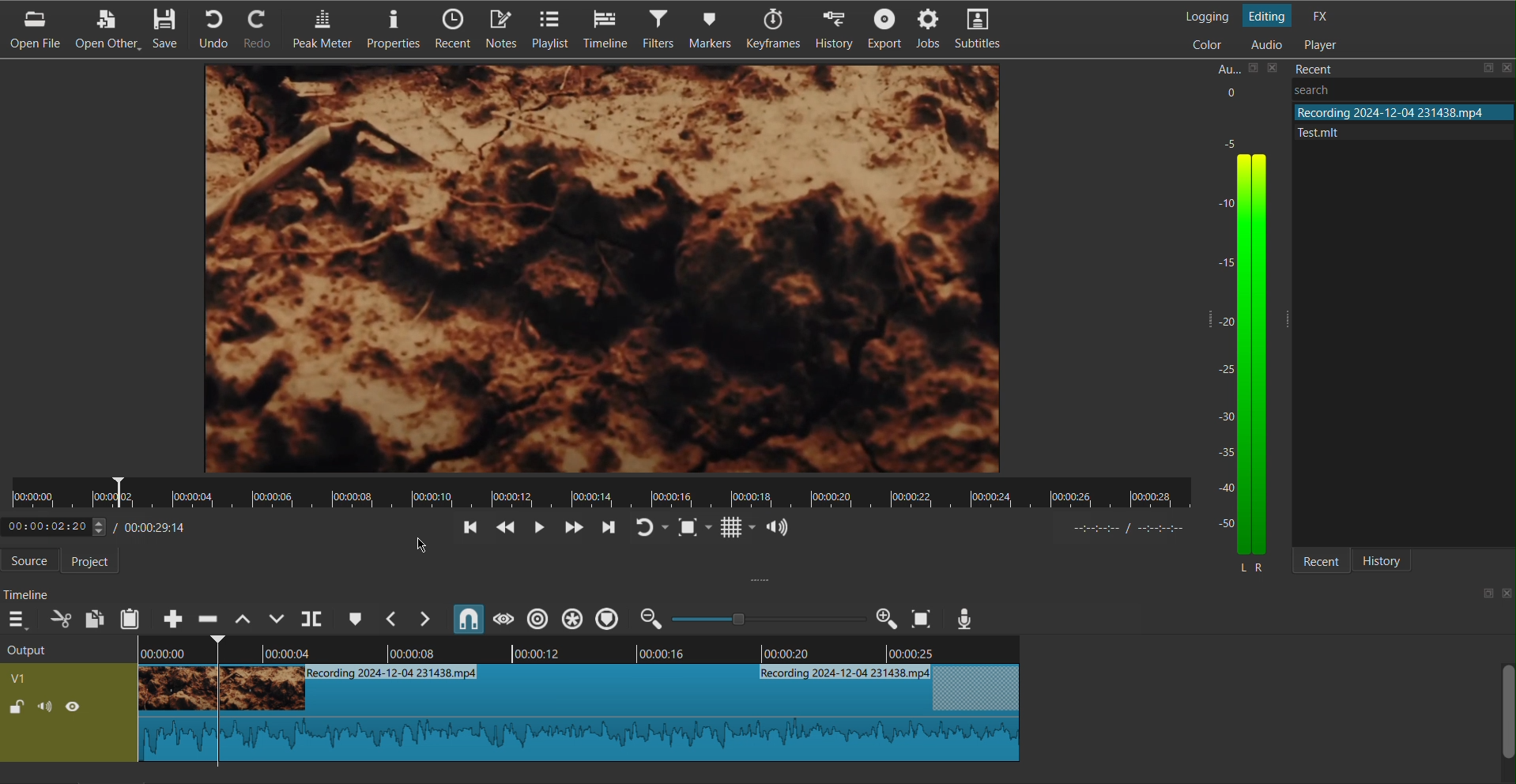 The height and width of the screenshot is (784, 1516). What do you see at coordinates (32, 29) in the screenshot?
I see `Open File` at bounding box center [32, 29].